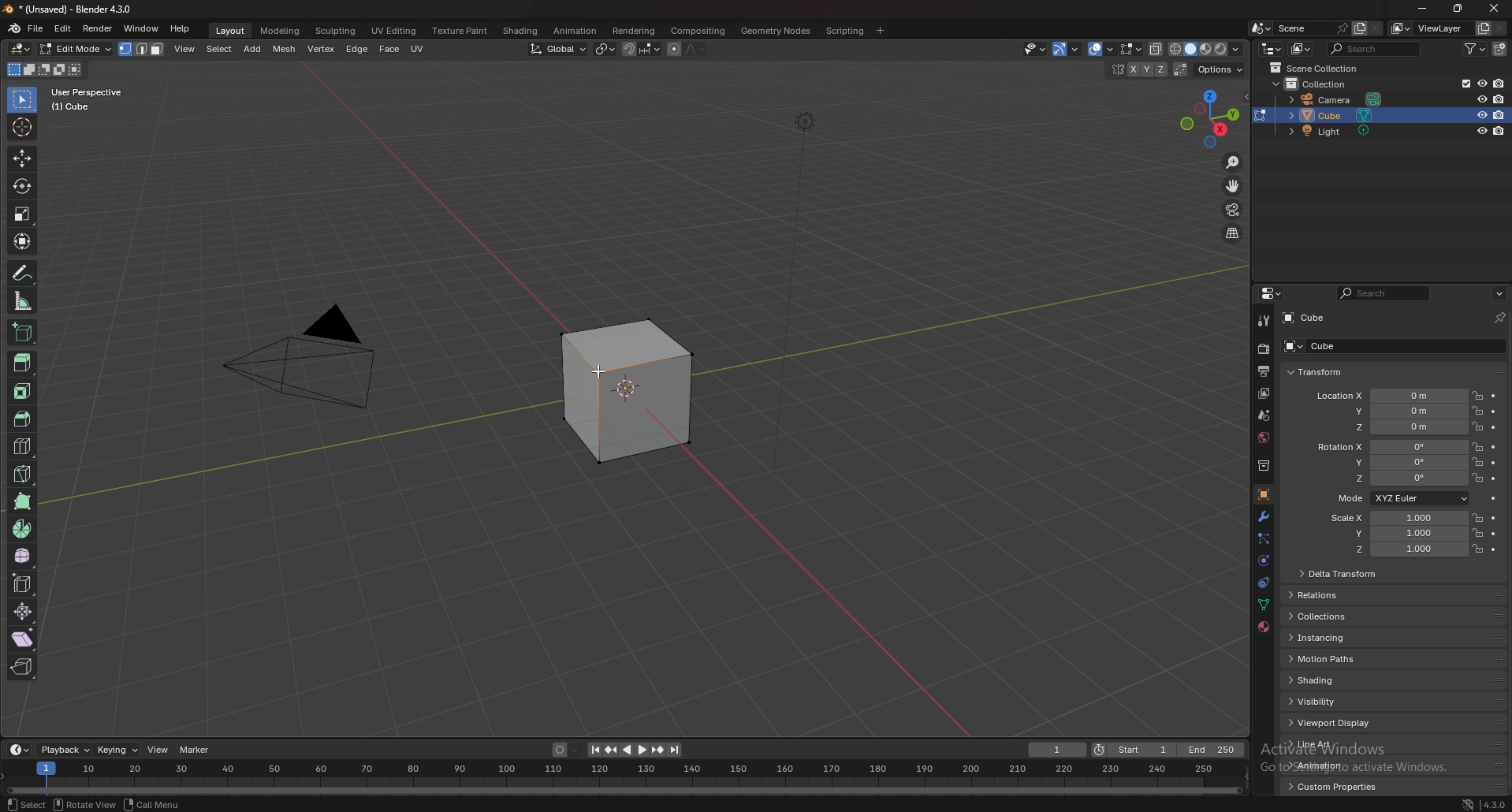 The image size is (1512, 812). What do you see at coordinates (1264, 466) in the screenshot?
I see `collection` at bounding box center [1264, 466].